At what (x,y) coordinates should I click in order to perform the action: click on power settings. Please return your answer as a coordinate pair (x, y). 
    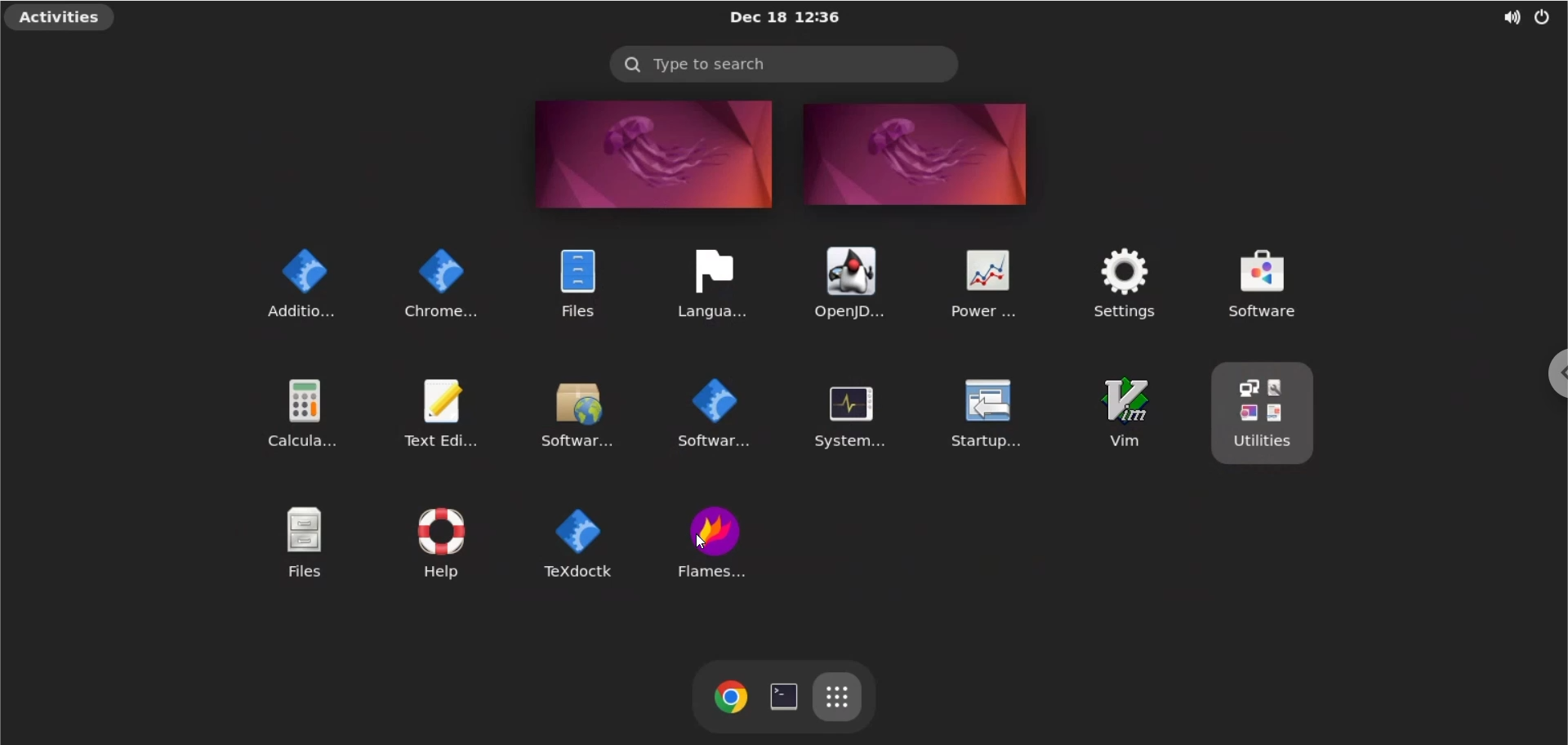
    Looking at the image, I should click on (982, 281).